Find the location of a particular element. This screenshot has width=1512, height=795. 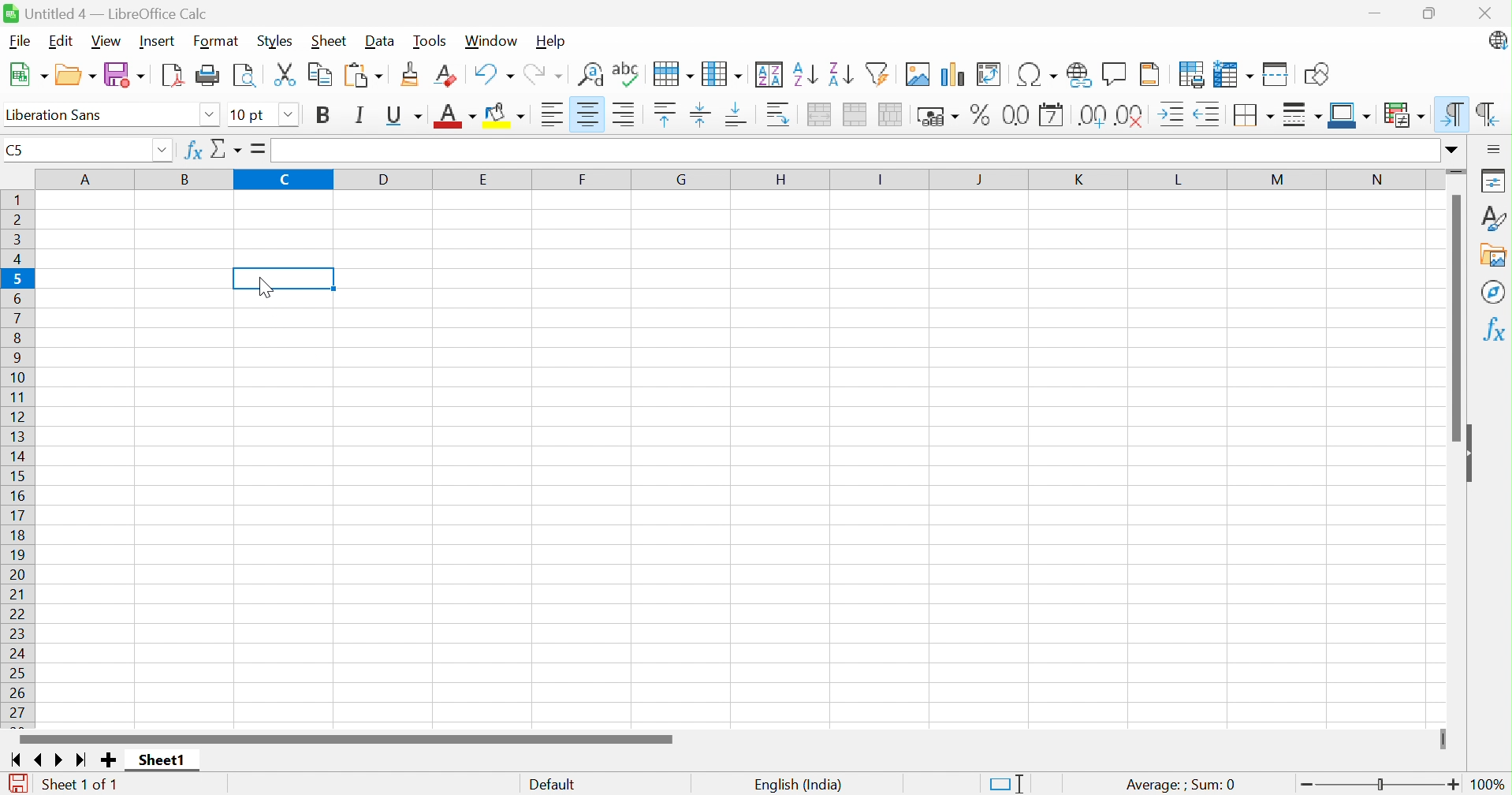

Headers and Footers is located at coordinates (1154, 73).